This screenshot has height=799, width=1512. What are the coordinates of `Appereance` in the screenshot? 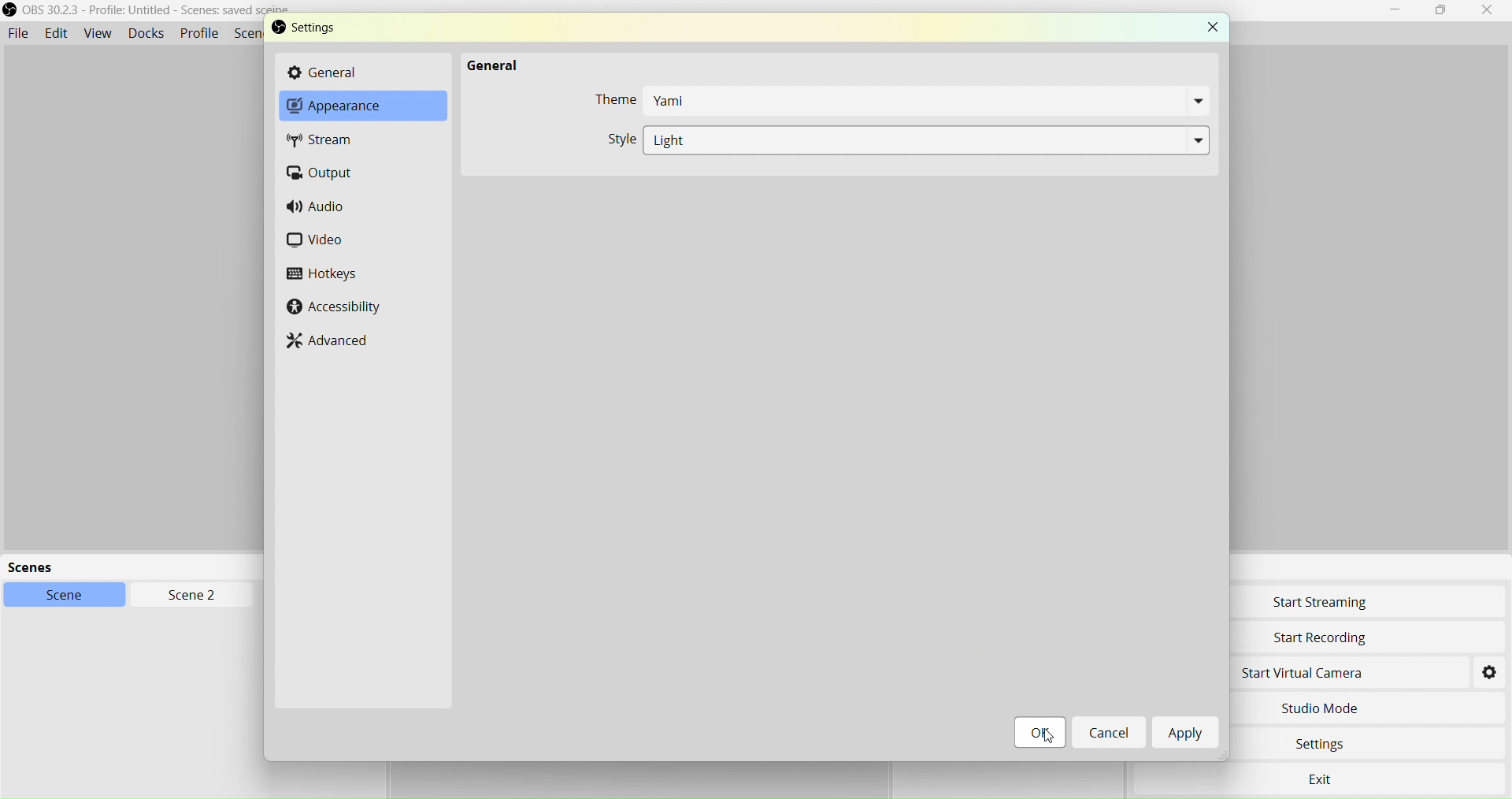 It's located at (353, 110).